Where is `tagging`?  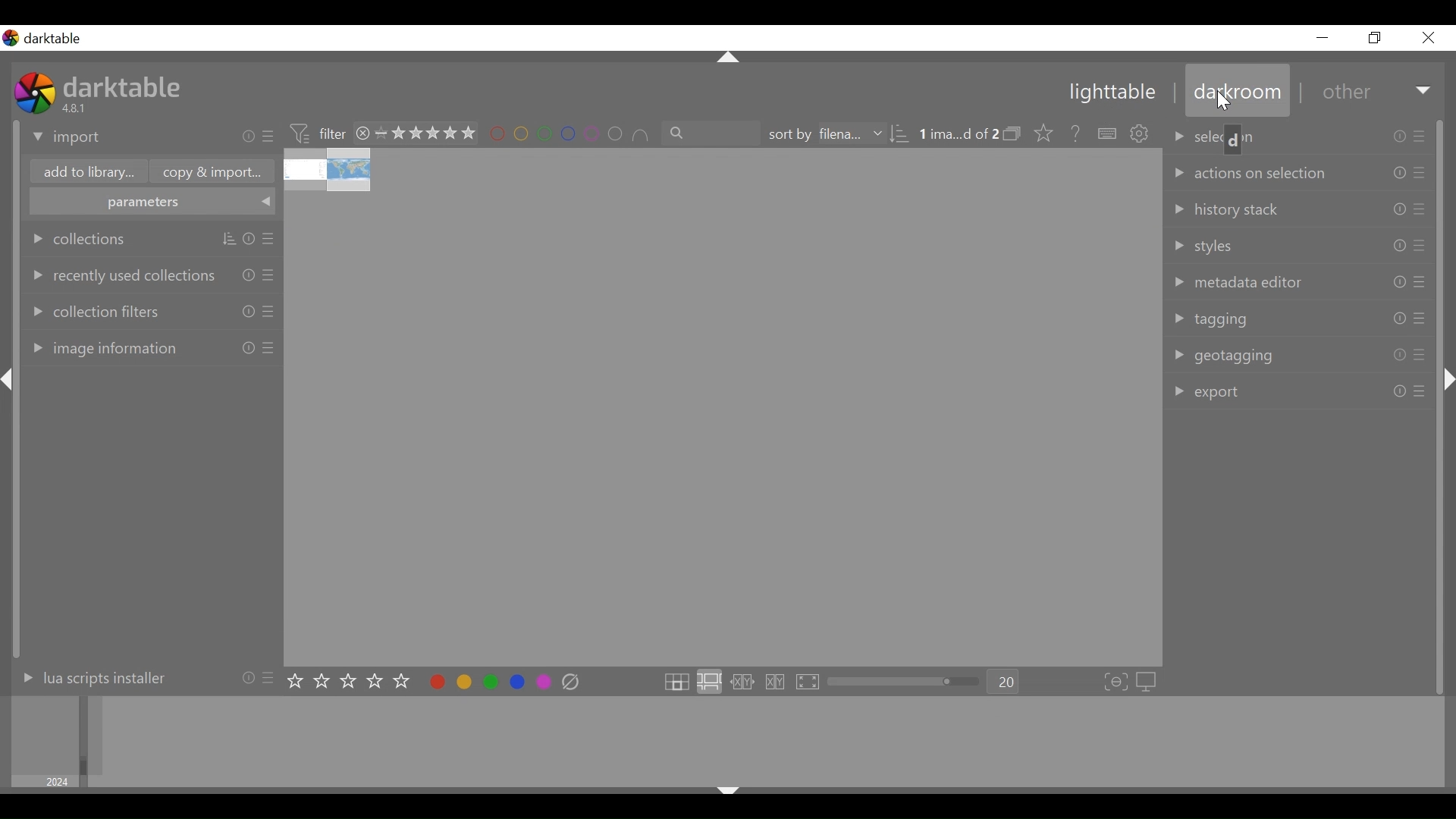 tagging is located at coordinates (1257, 320).